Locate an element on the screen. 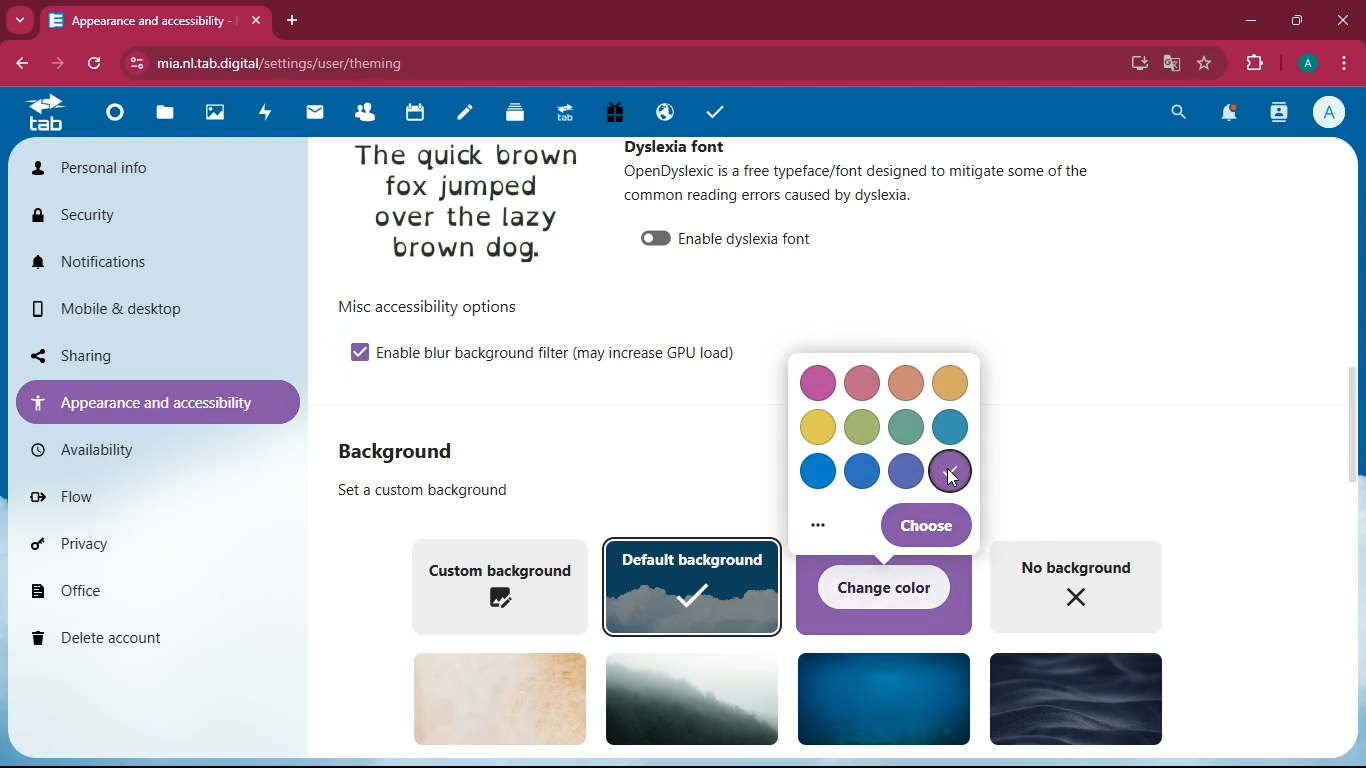  mia.nltab.digital/settings/user/theming is located at coordinates (266, 60).